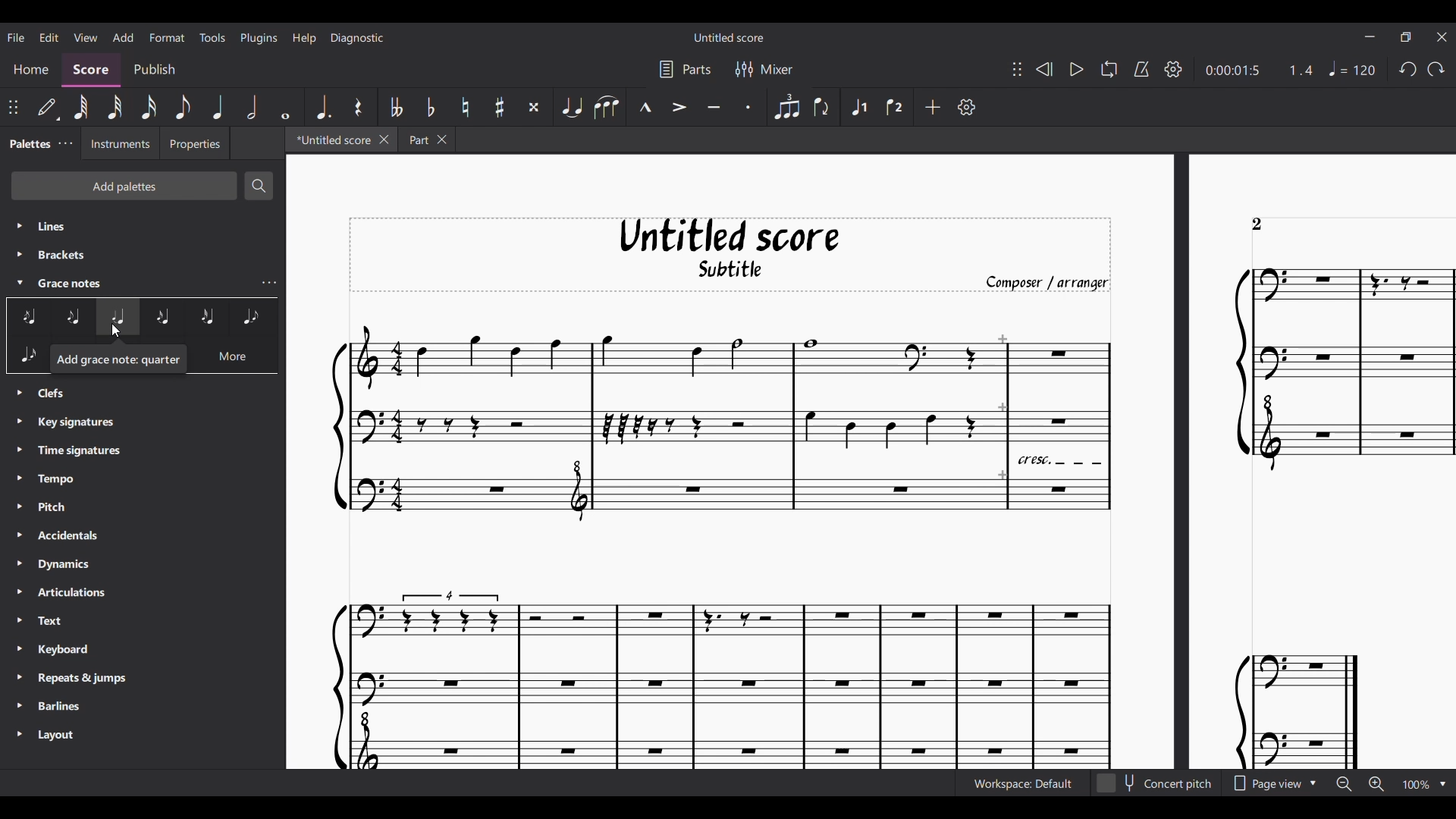  Describe the element at coordinates (1259, 71) in the screenshot. I see `Current duration and ratio` at that location.